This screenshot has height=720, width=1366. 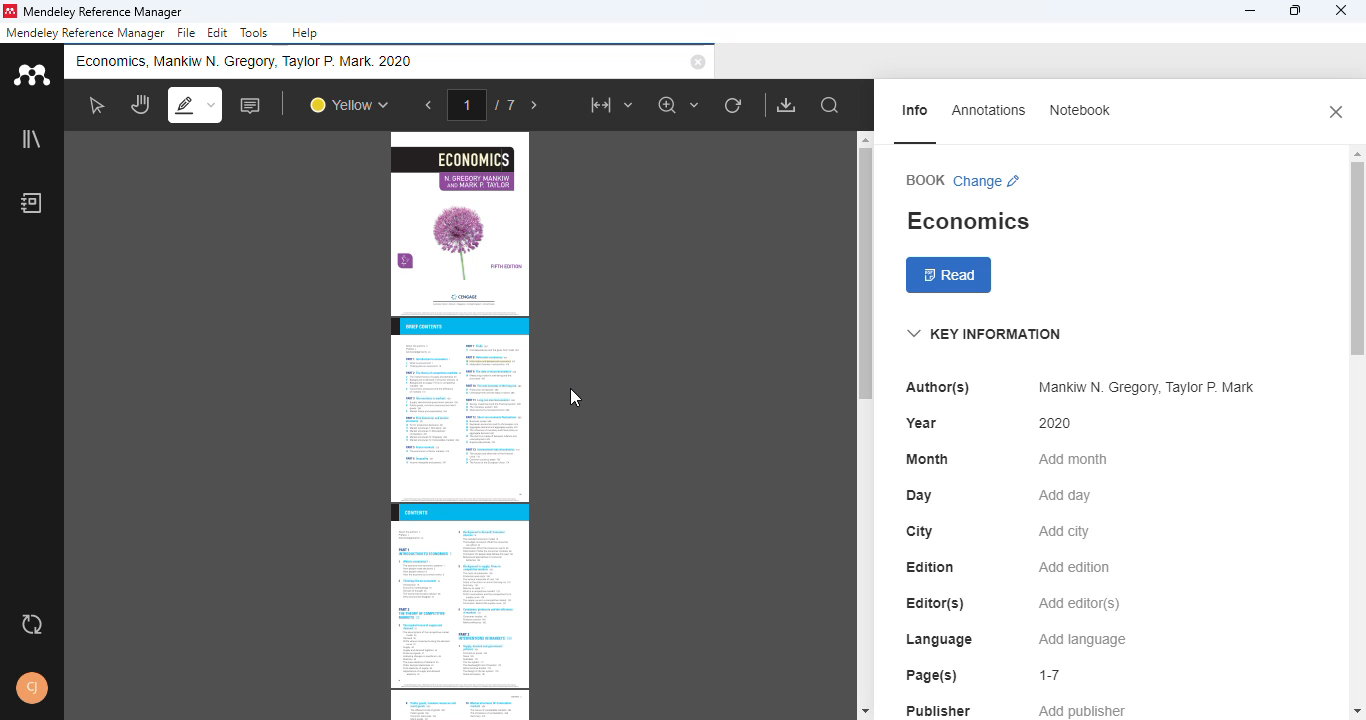 I want to click on add publisher, so click(x=1083, y=709).